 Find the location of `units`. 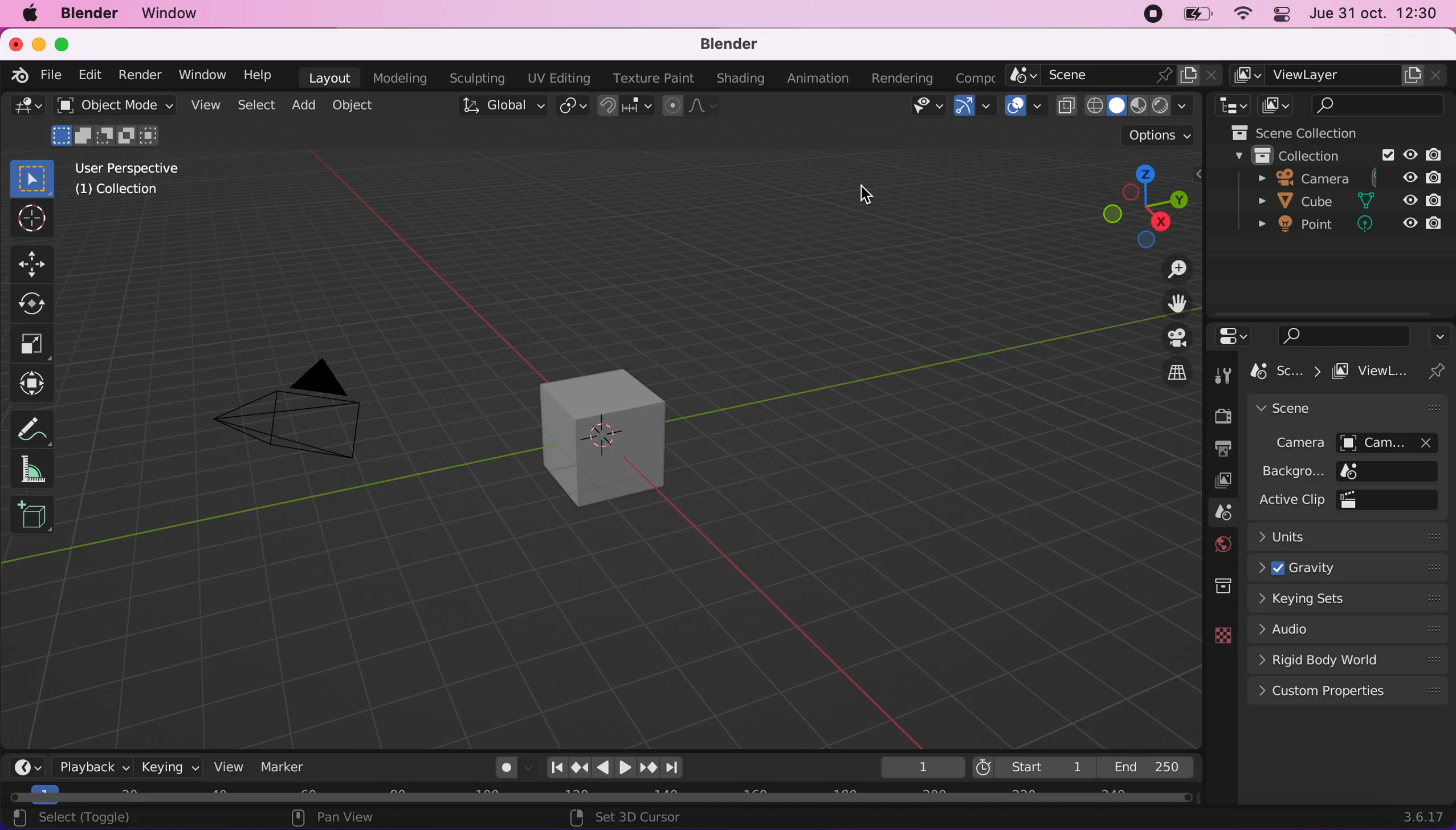

units is located at coordinates (1351, 539).